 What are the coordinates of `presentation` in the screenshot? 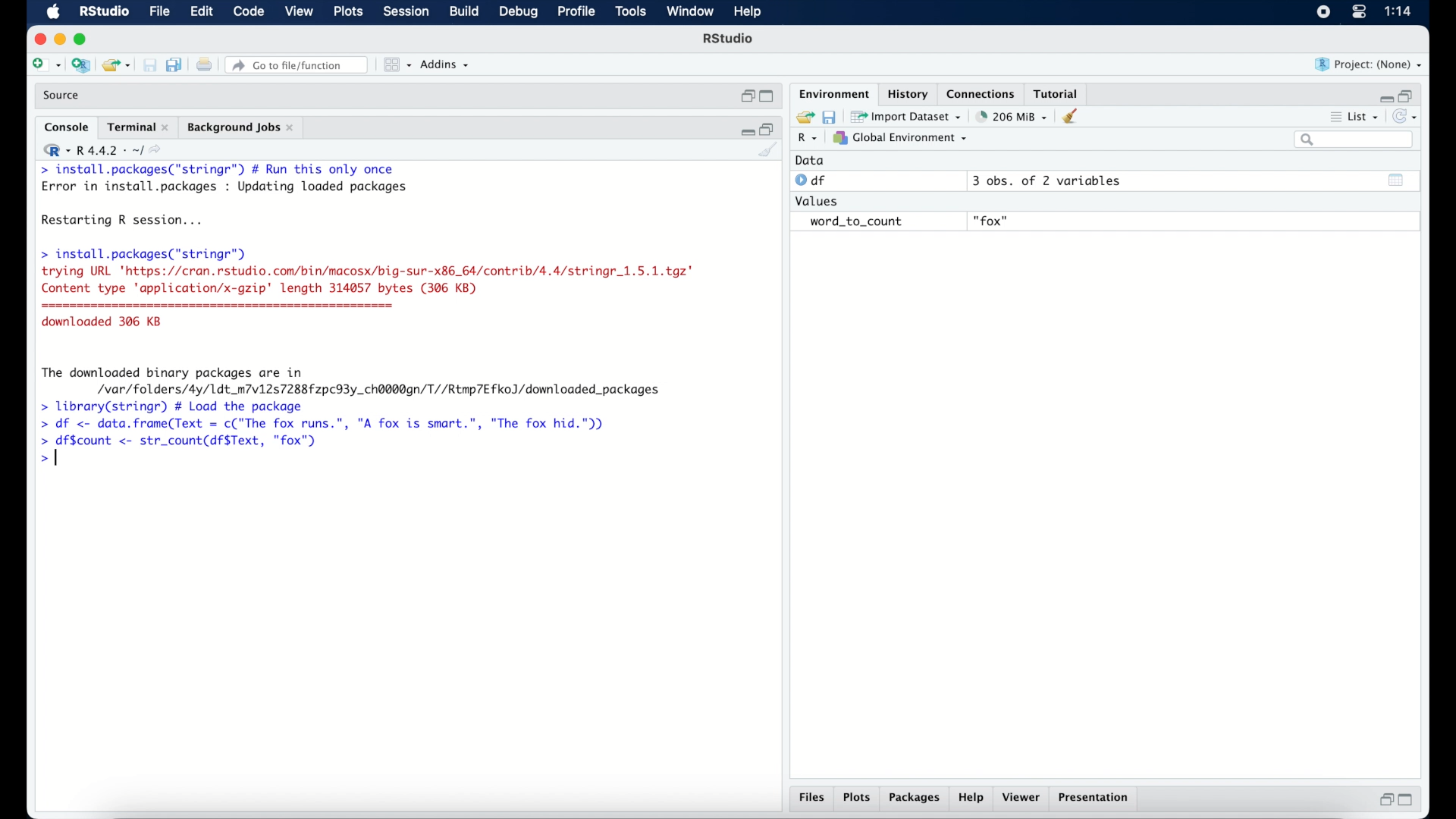 It's located at (1096, 799).